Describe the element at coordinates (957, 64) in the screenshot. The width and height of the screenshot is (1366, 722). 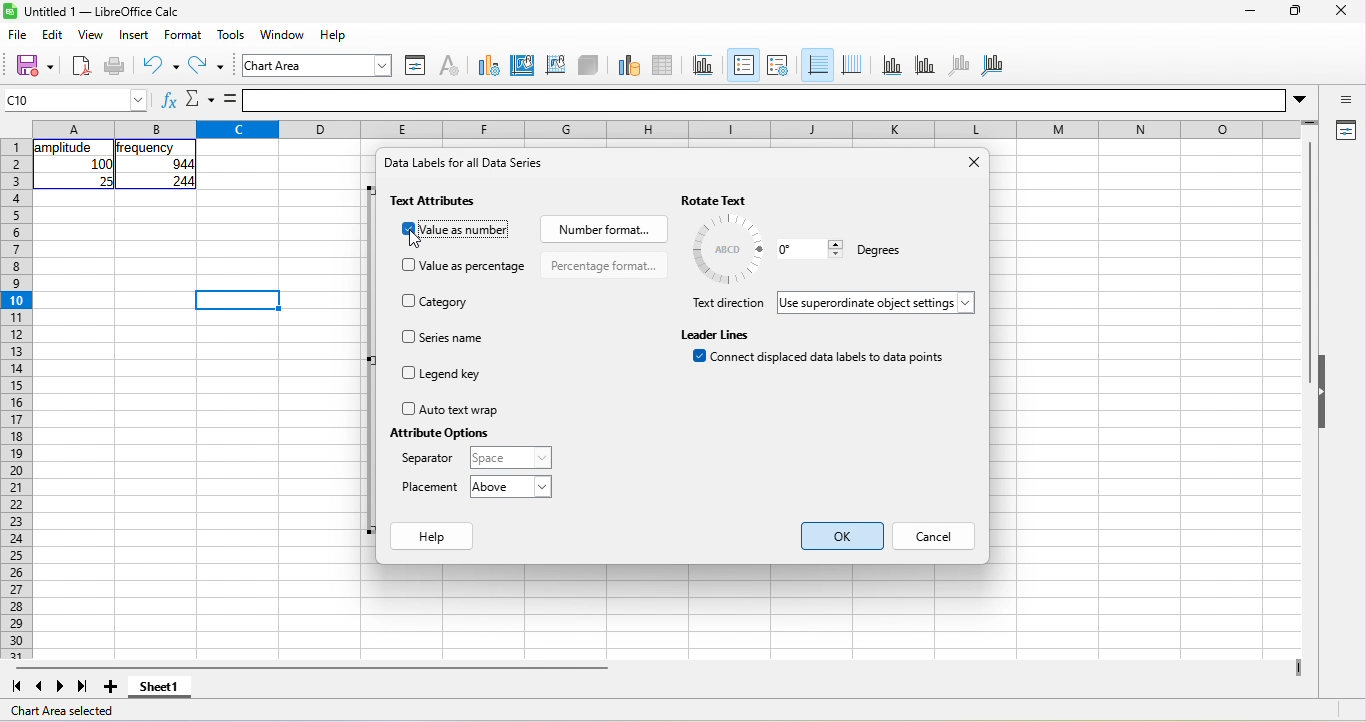
I see `z axis` at that location.